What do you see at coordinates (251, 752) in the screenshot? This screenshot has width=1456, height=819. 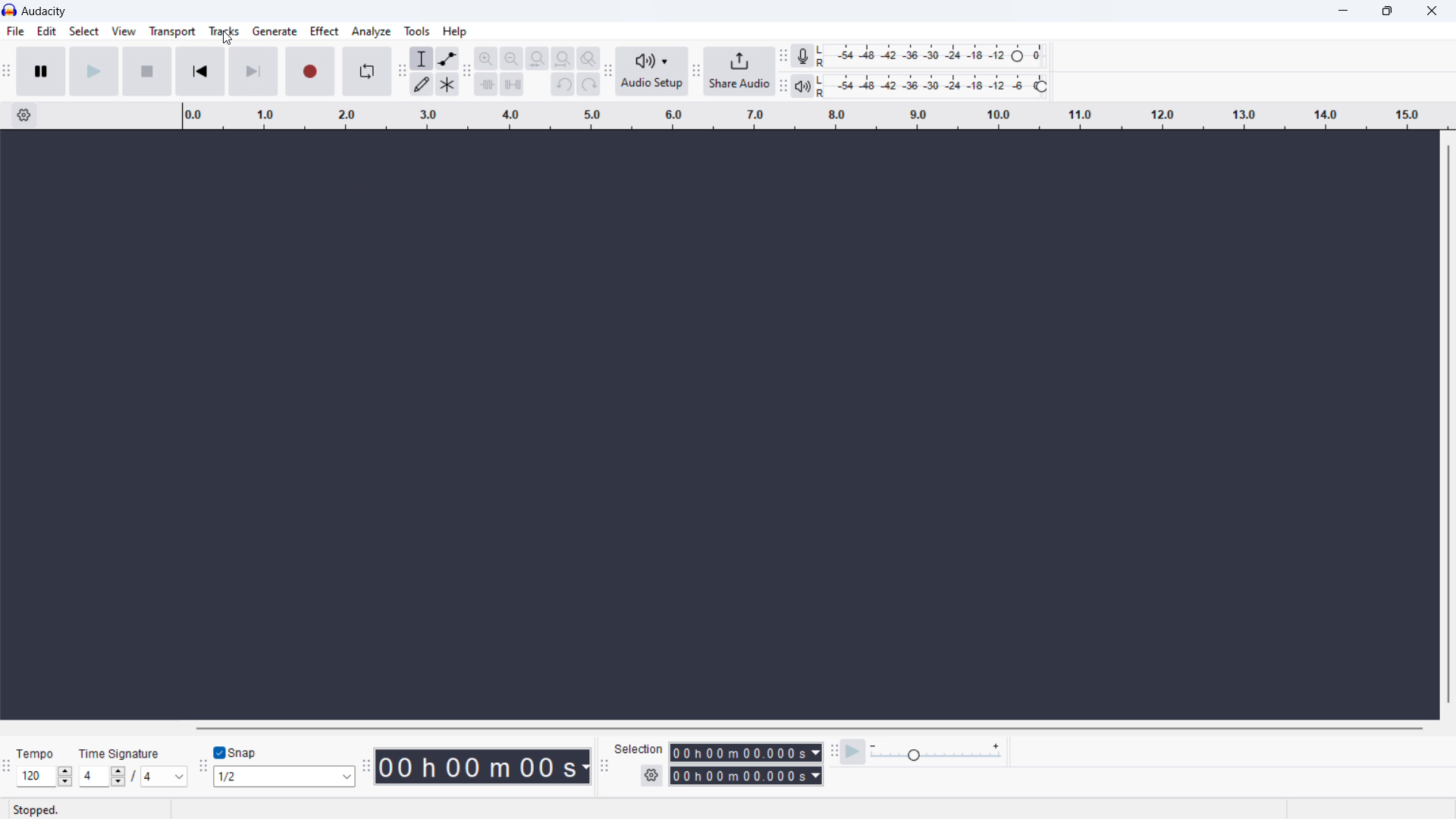 I see `snap` at bounding box center [251, 752].